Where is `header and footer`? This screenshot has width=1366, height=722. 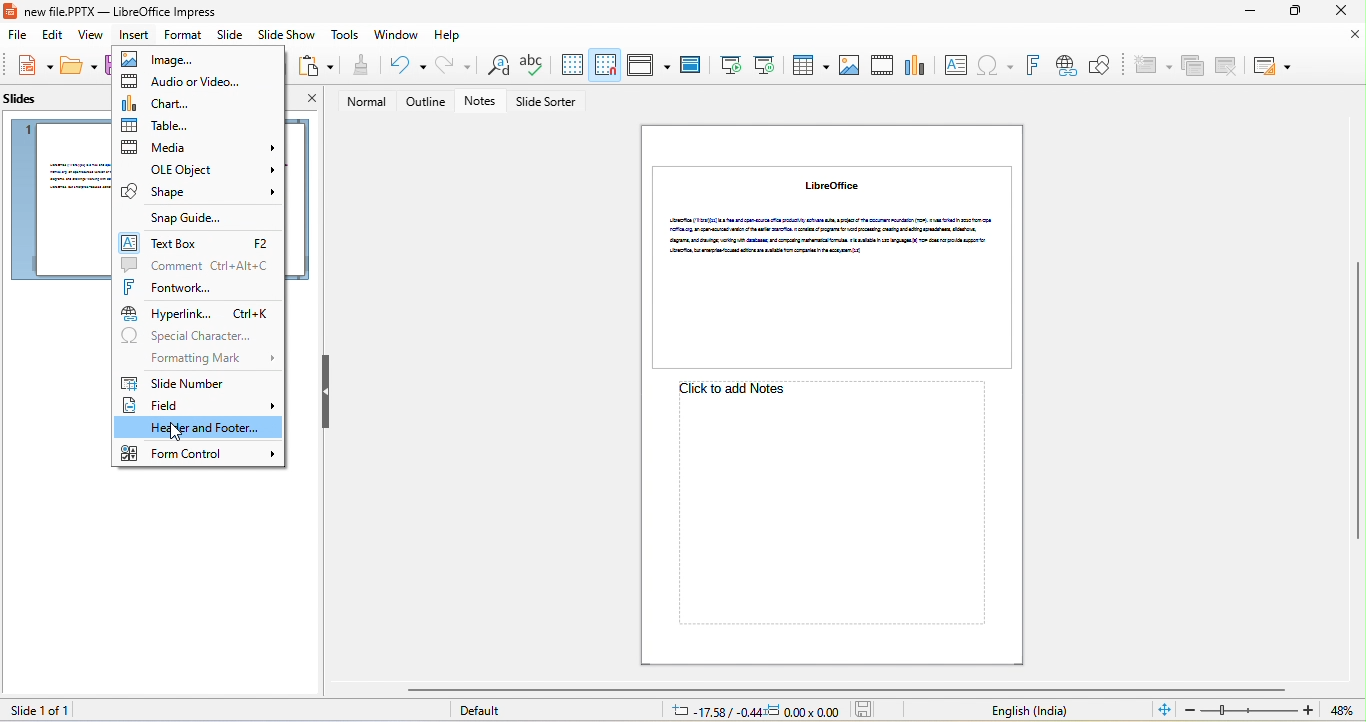
header and footer is located at coordinates (199, 429).